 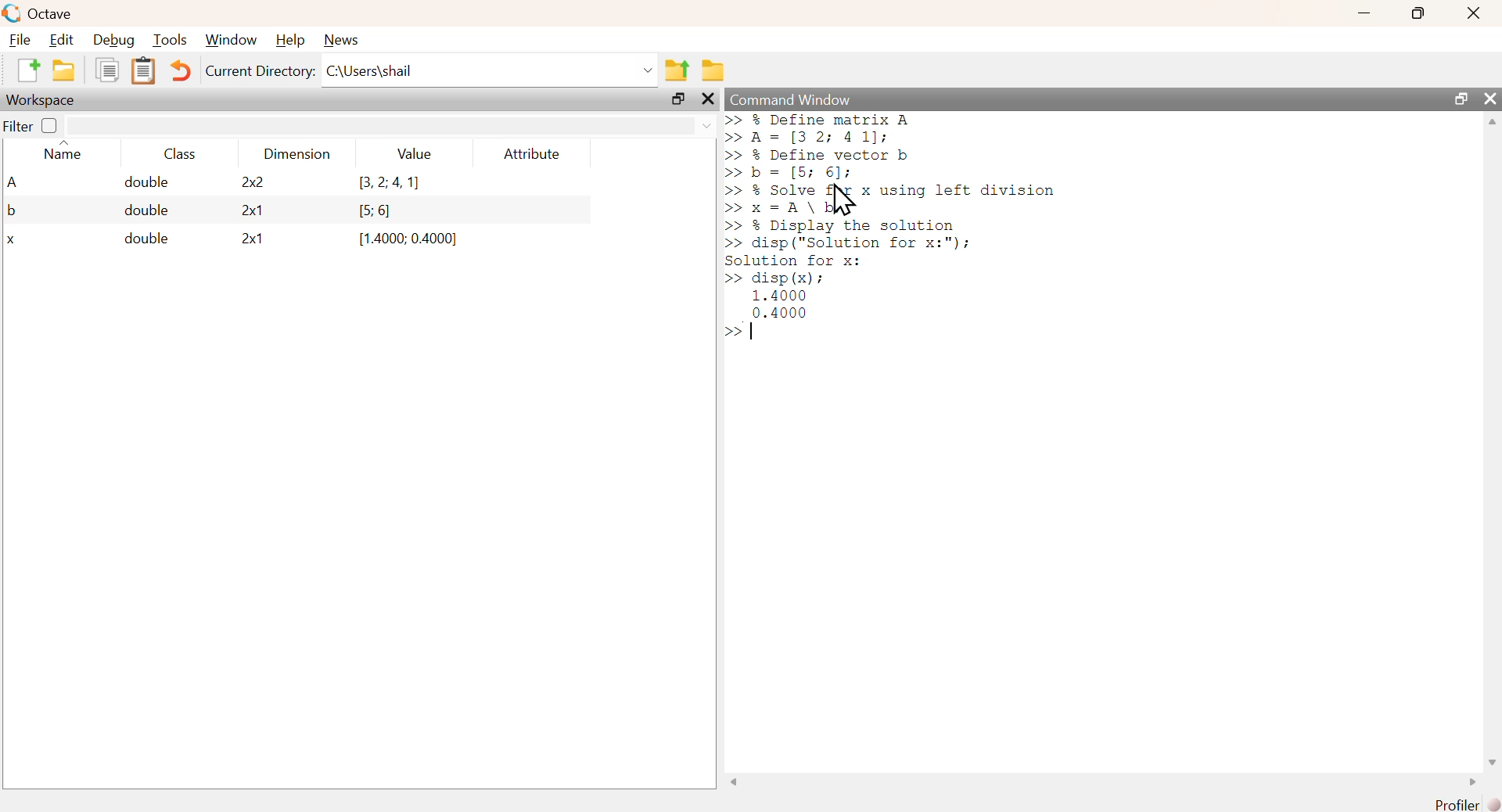 I want to click on filter, so click(x=391, y=126).